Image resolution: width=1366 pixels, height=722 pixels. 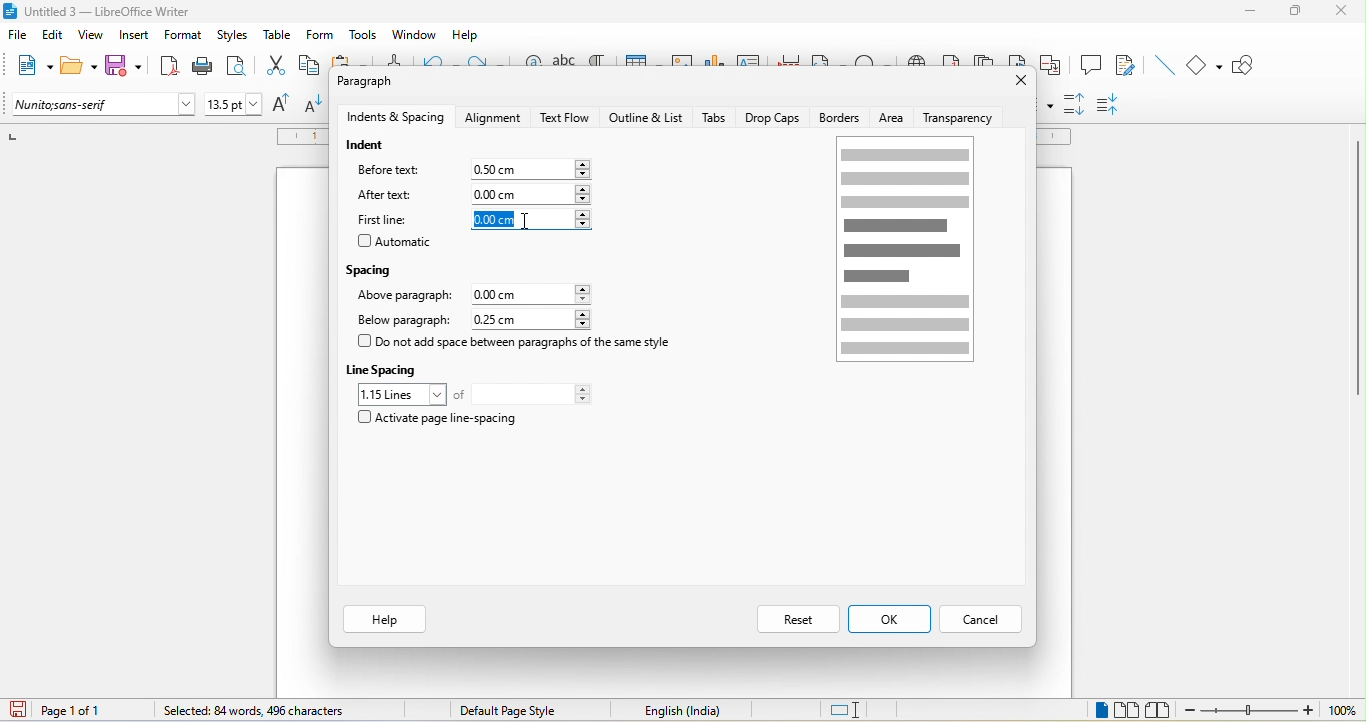 What do you see at coordinates (316, 103) in the screenshot?
I see `decrease size` at bounding box center [316, 103].